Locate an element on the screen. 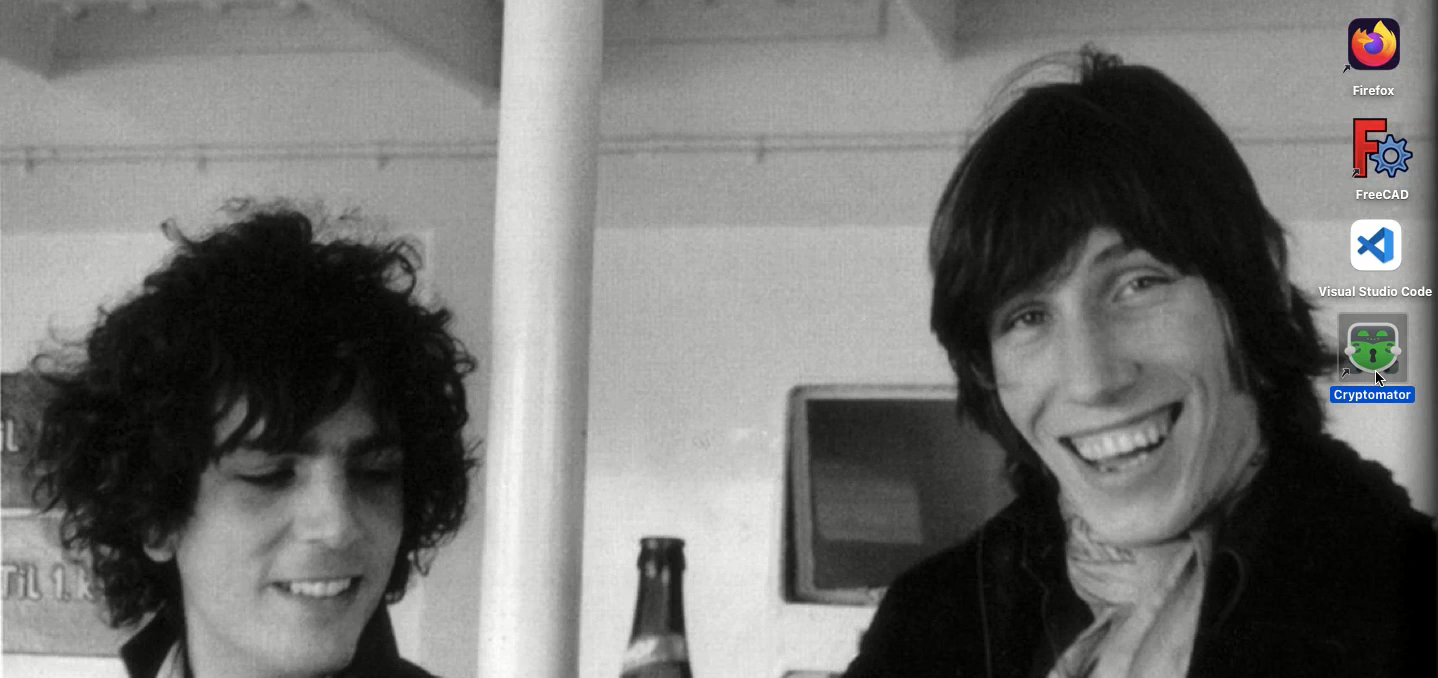 The width and height of the screenshot is (1438, 678). Cryptomator is located at coordinates (1374, 358).